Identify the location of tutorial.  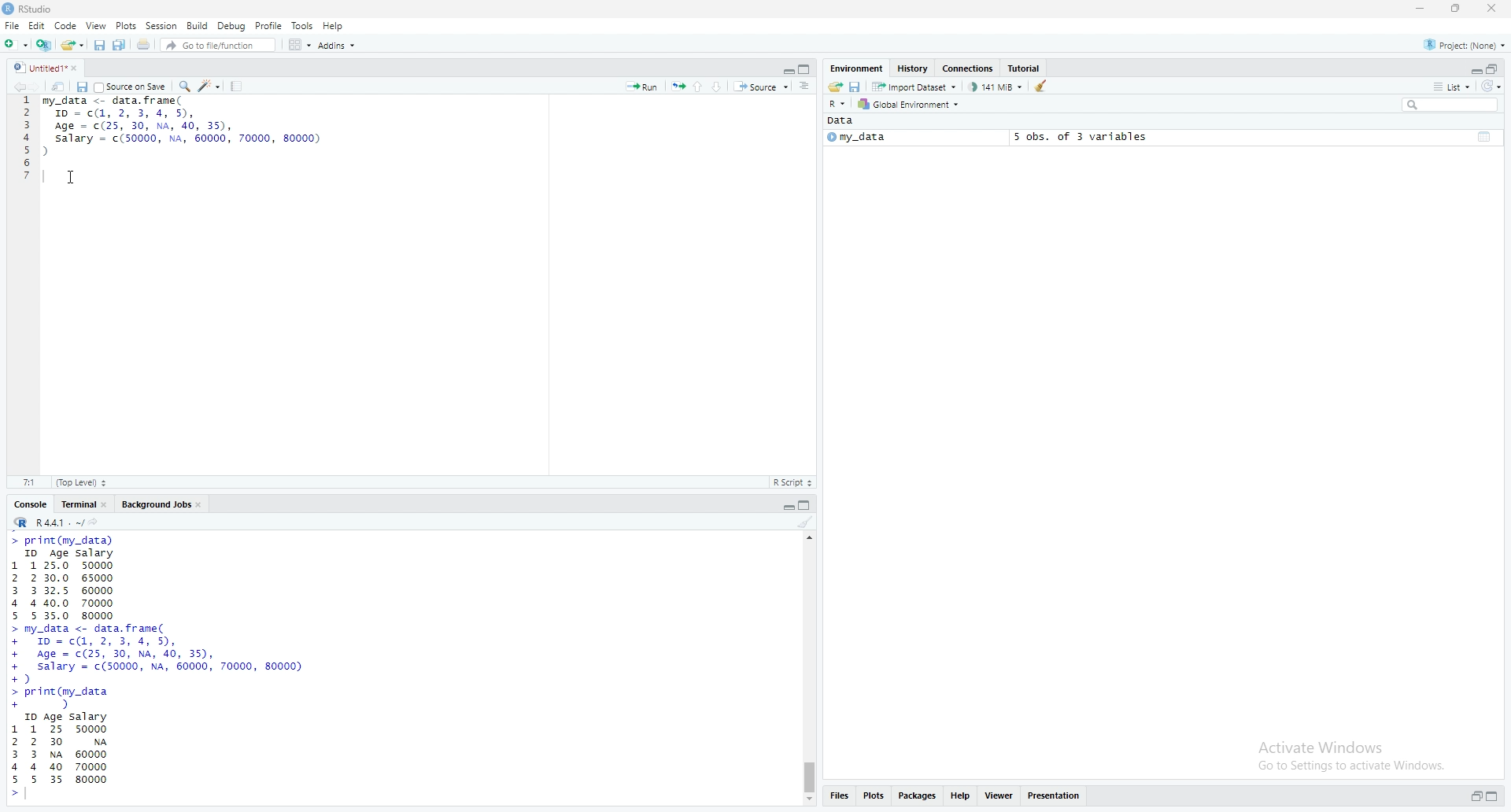
(1025, 68).